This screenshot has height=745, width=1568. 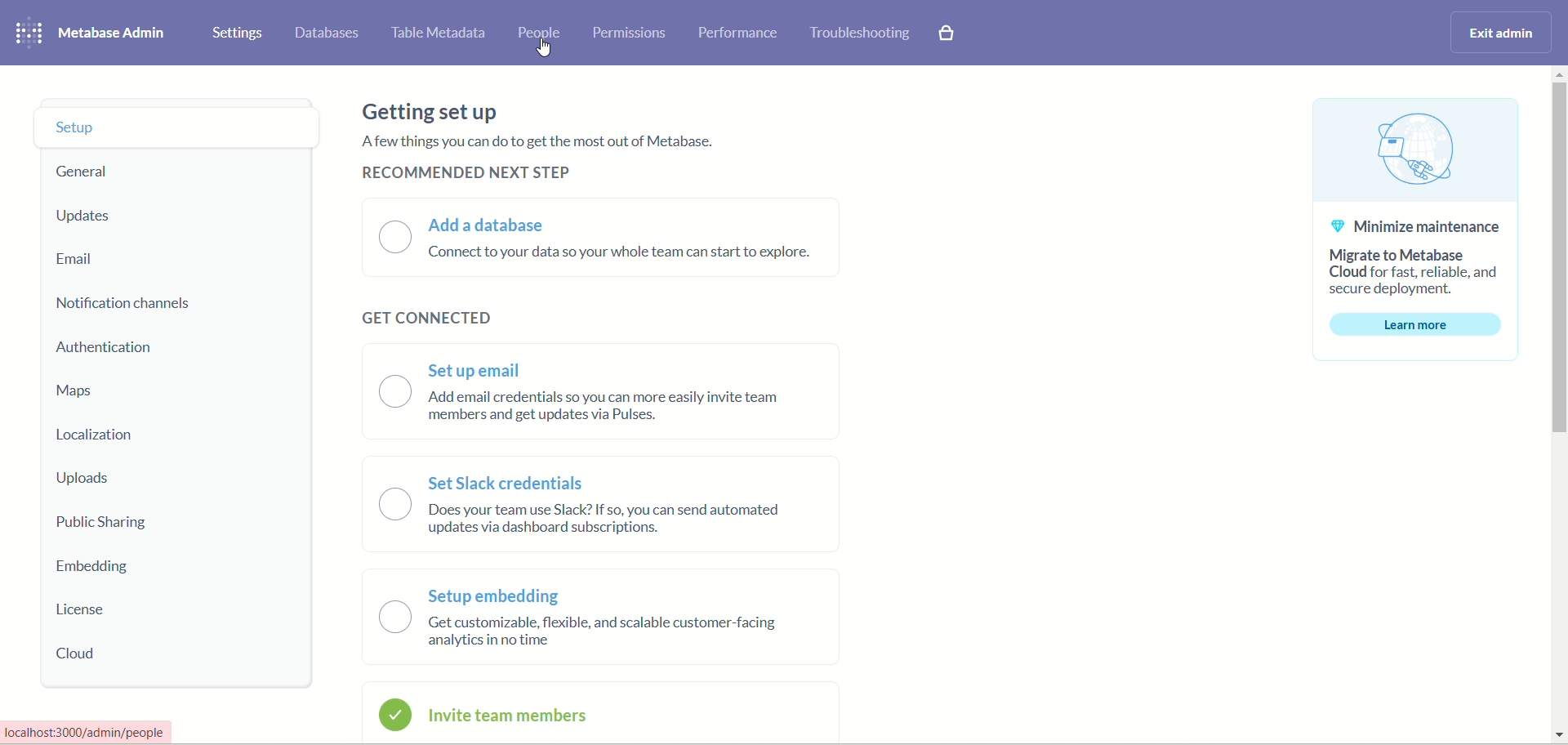 What do you see at coordinates (496, 600) in the screenshot?
I see `setup embedding` at bounding box center [496, 600].